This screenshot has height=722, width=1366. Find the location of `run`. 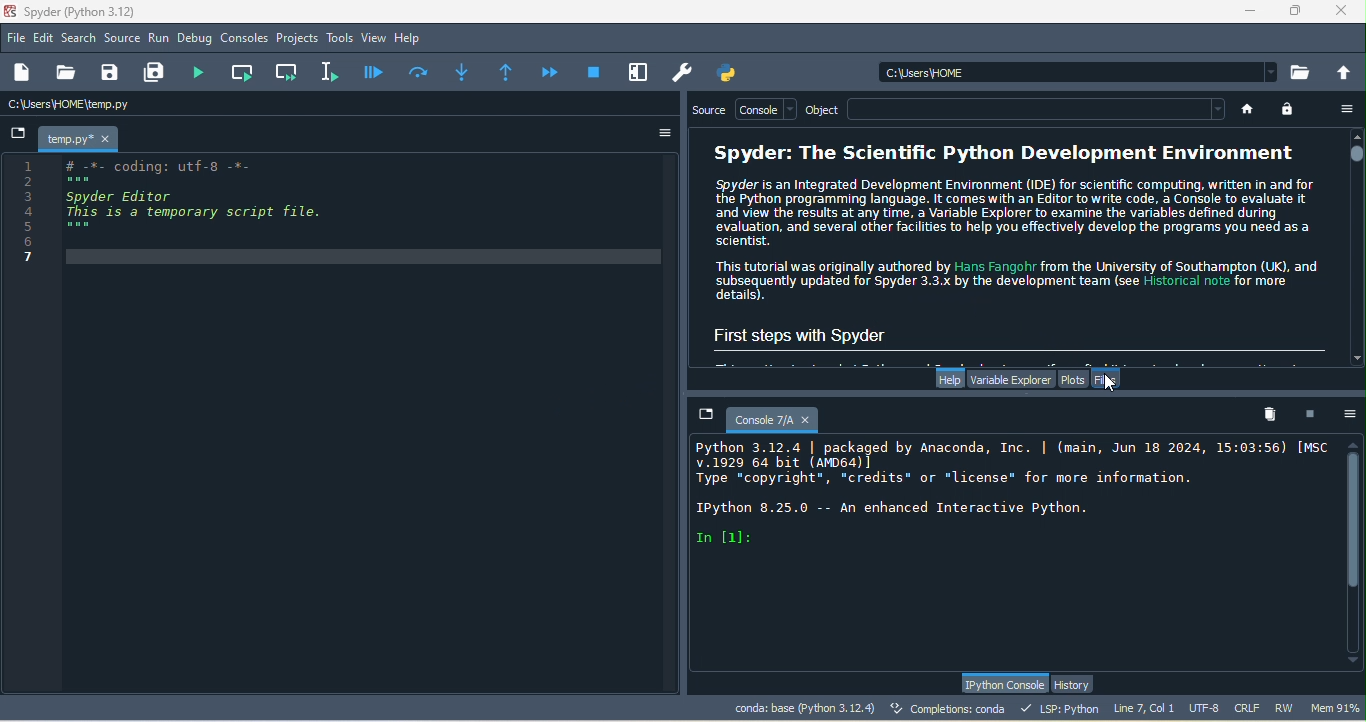

run is located at coordinates (159, 39).